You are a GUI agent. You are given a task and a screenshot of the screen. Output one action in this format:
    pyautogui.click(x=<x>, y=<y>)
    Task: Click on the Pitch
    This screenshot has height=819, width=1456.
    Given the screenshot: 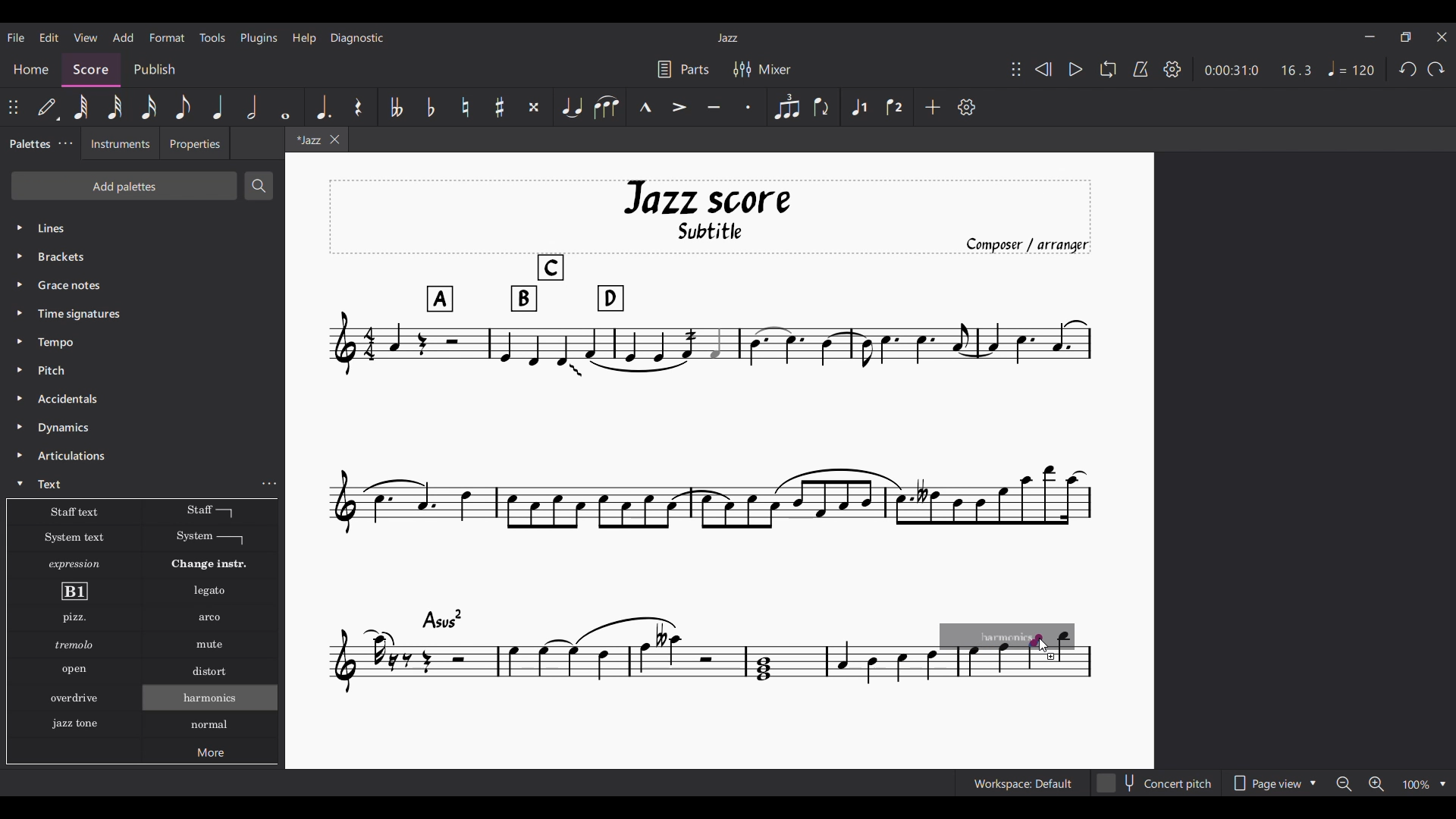 What is the action you would take?
    pyautogui.click(x=55, y=370)
    